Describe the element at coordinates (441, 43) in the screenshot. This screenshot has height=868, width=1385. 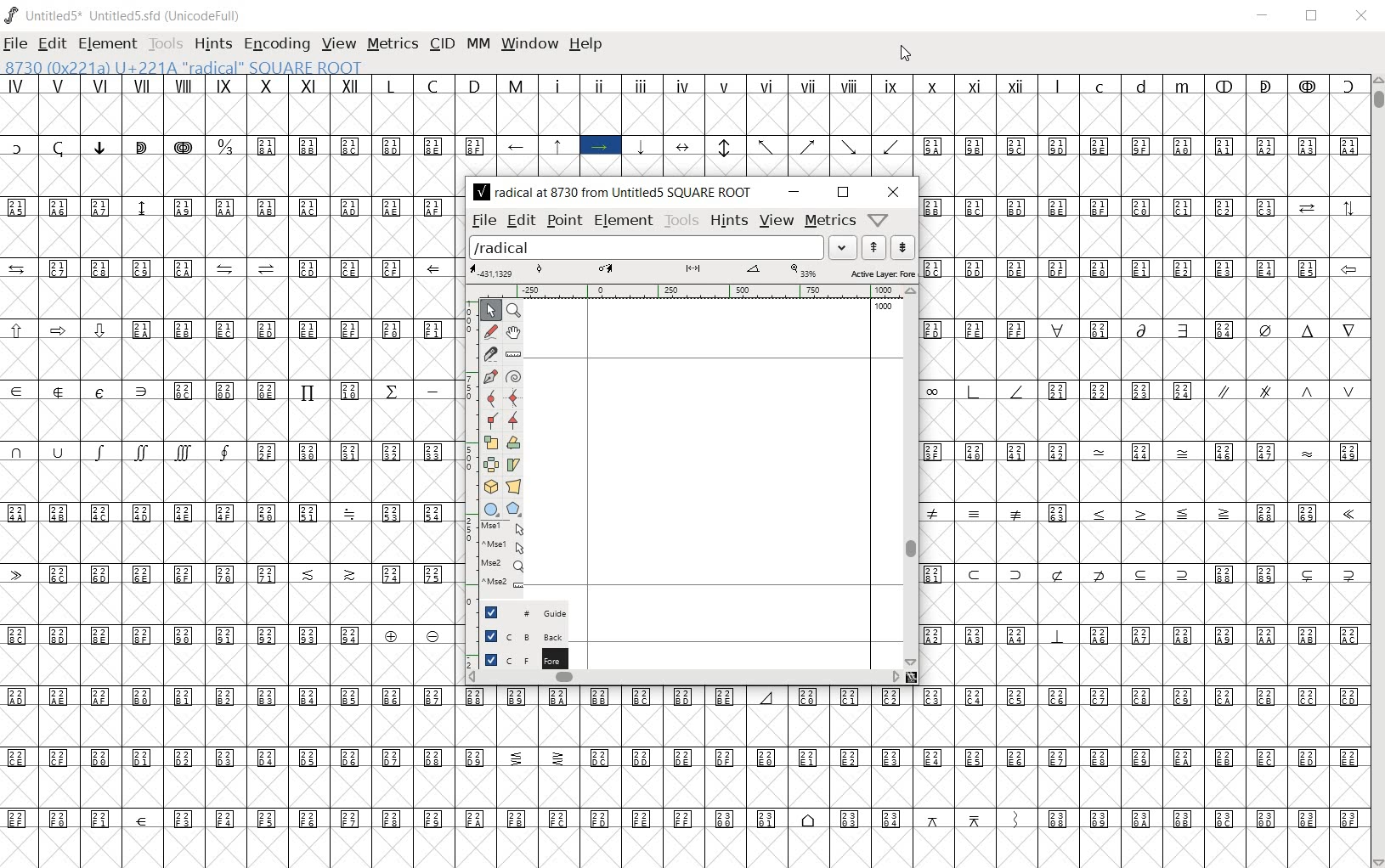
I see `CID` at that location.